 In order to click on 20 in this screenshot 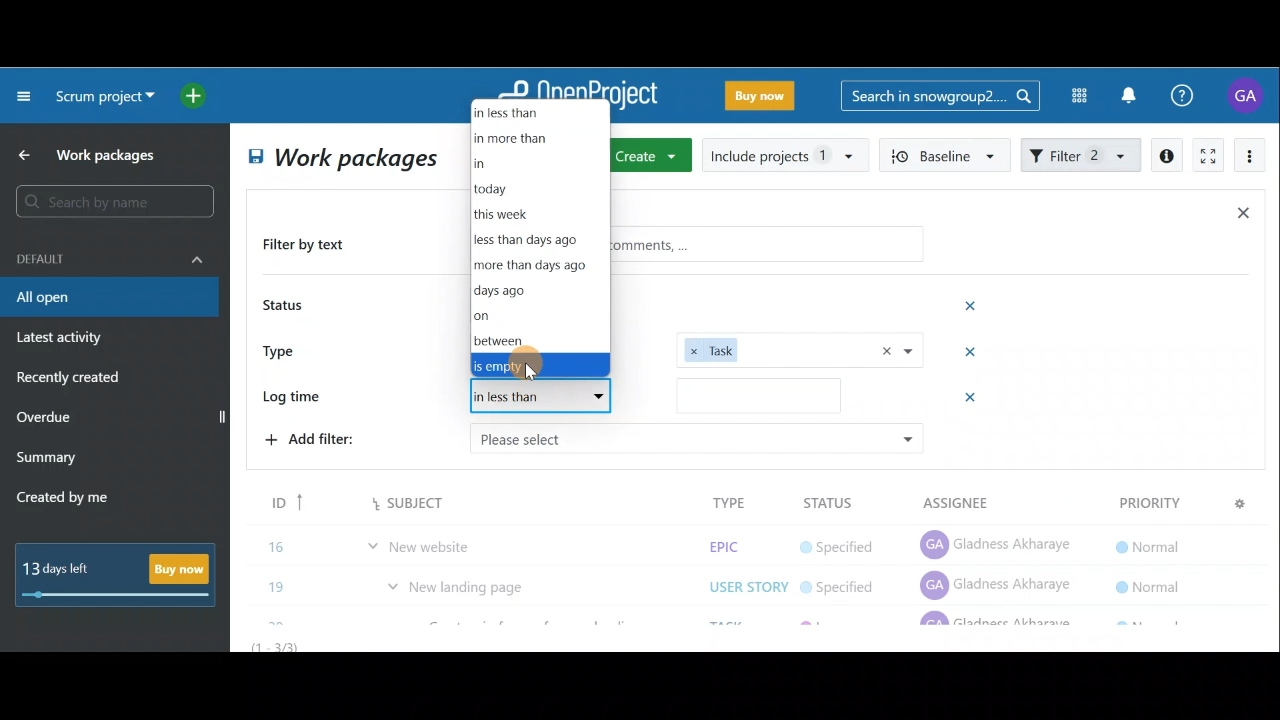, I will do `click(279, 582)`.